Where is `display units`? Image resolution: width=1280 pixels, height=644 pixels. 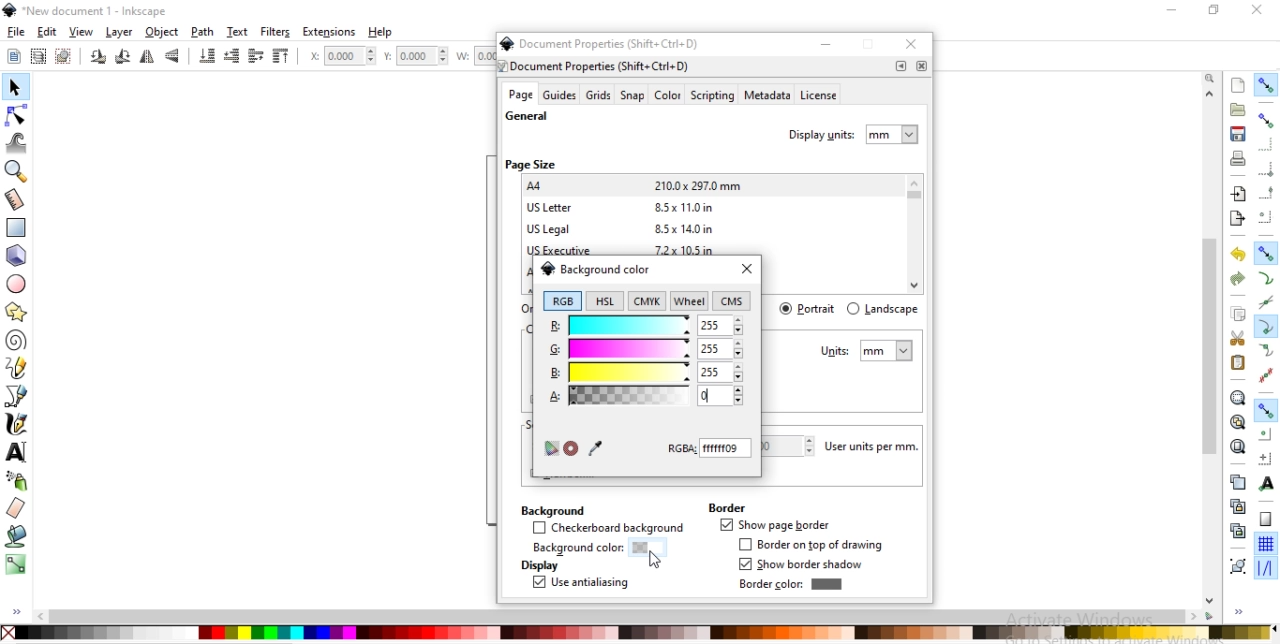
display units is located at coordinates (855, 132).